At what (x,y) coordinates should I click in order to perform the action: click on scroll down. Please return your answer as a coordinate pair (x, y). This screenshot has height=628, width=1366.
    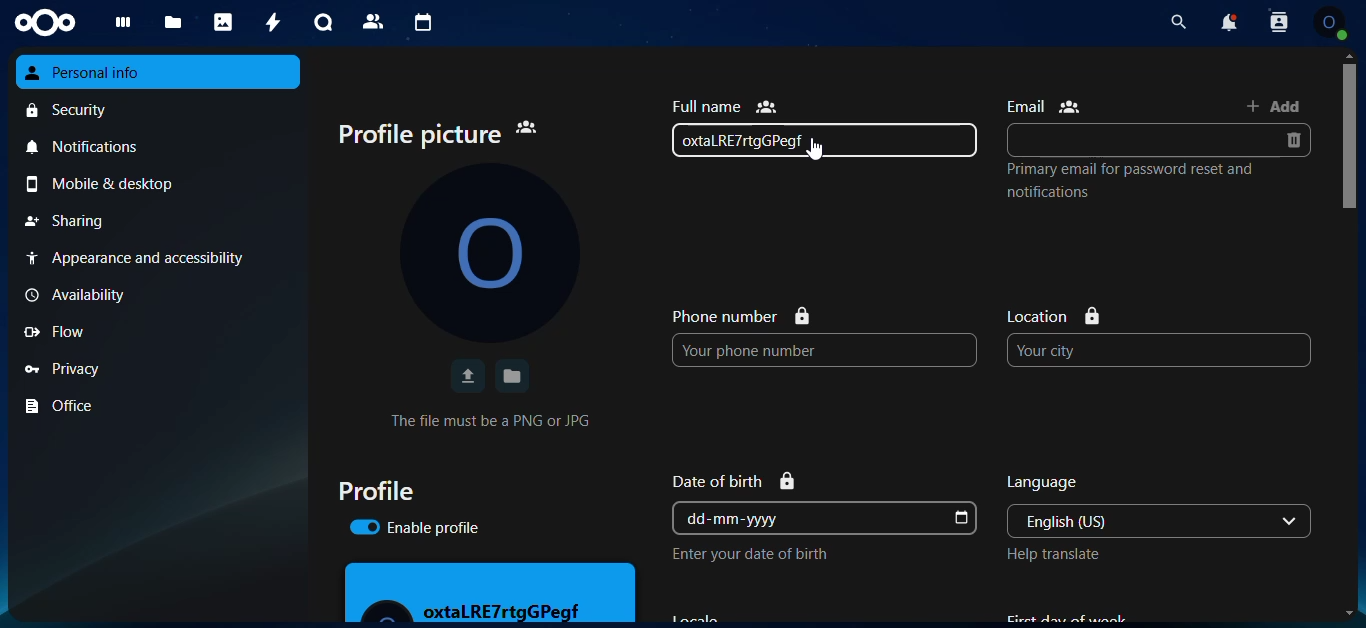
    Looking at the image, I should click on (1349, 613).